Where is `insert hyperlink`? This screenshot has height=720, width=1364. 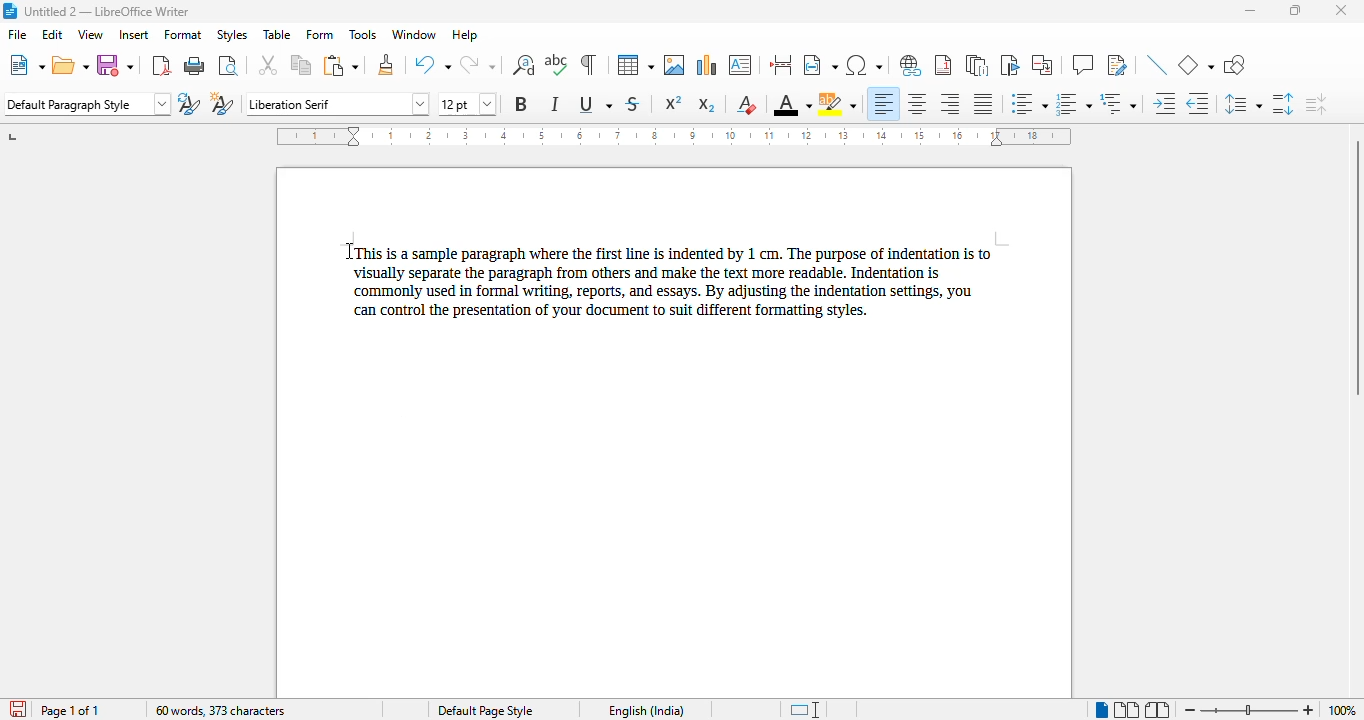 insert hyperlink is located at coordinates (911, 66).